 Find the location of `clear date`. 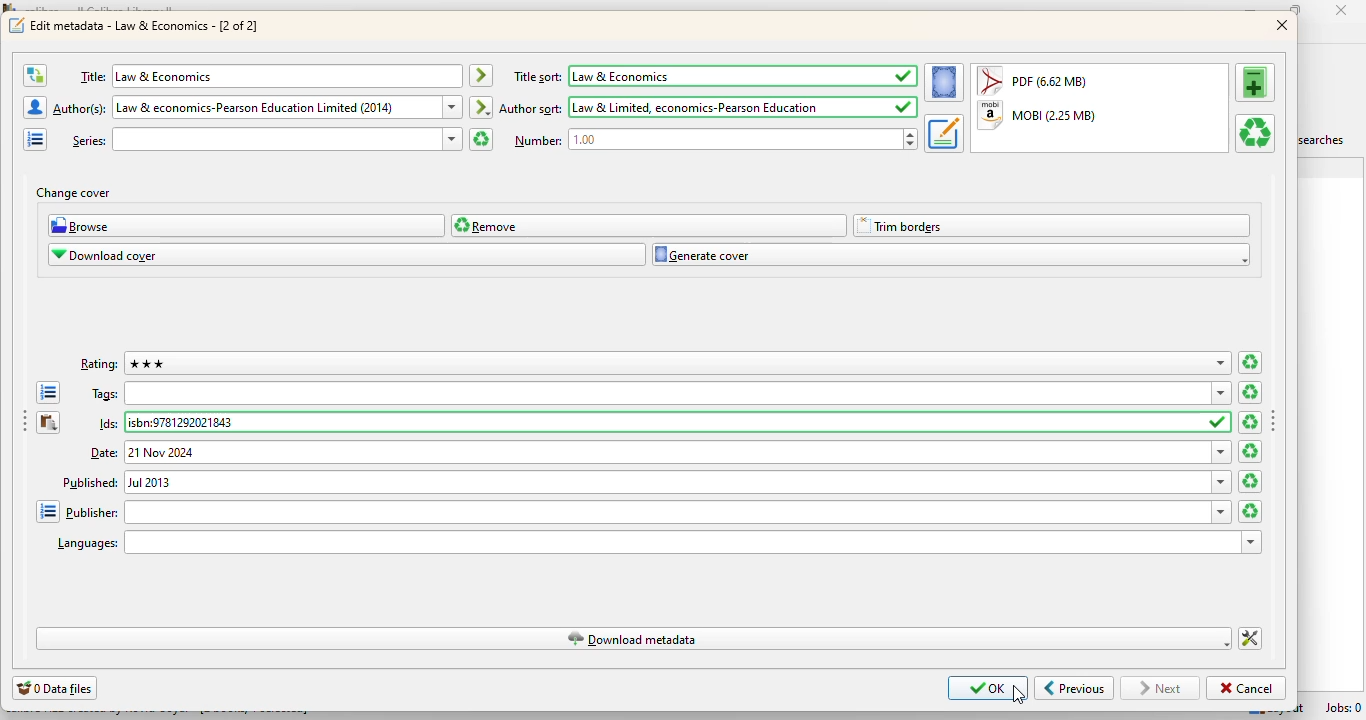

clear date is located at coordinates (1251, 482).